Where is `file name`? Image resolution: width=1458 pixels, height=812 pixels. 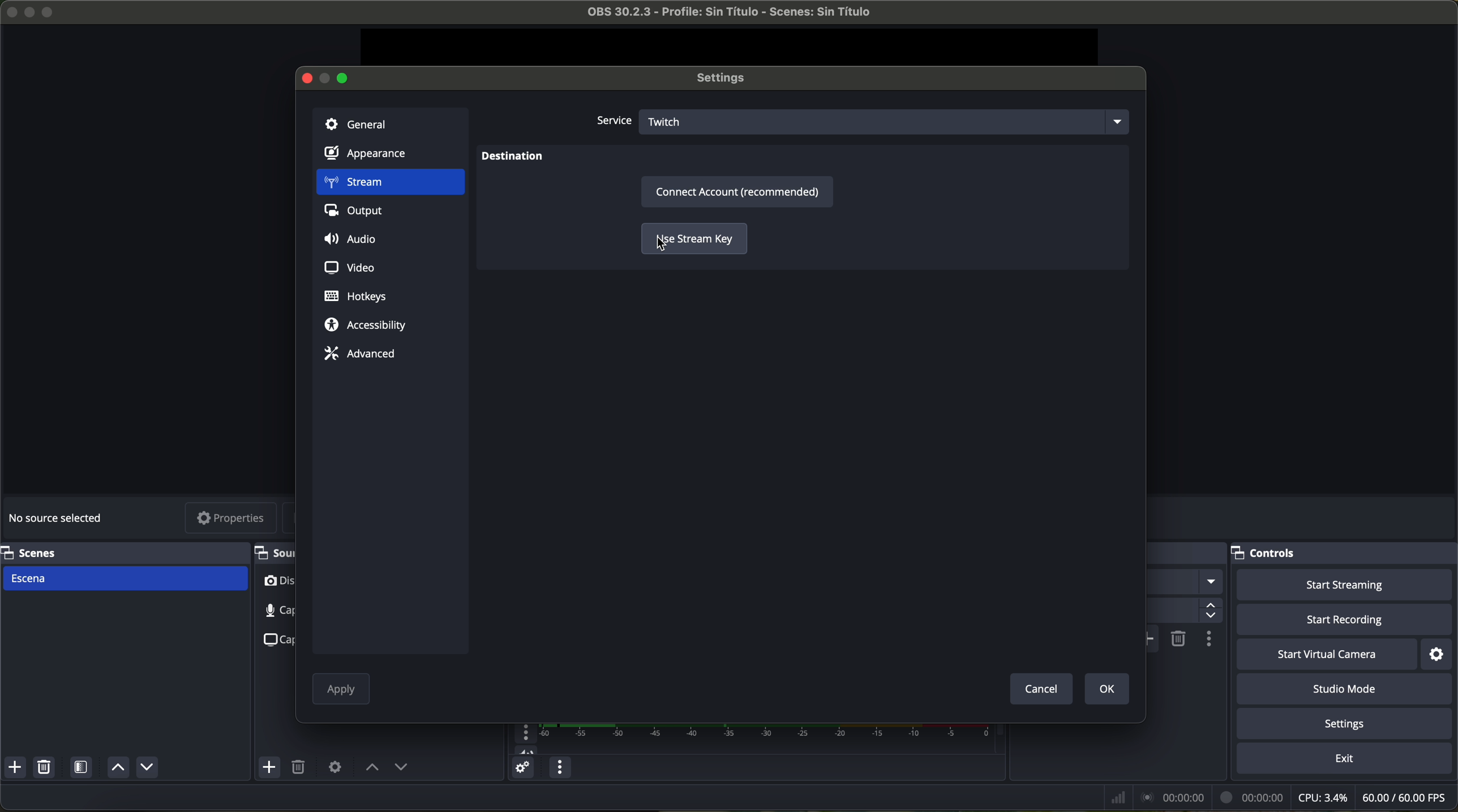
file name is located at coordinates (719, 14).